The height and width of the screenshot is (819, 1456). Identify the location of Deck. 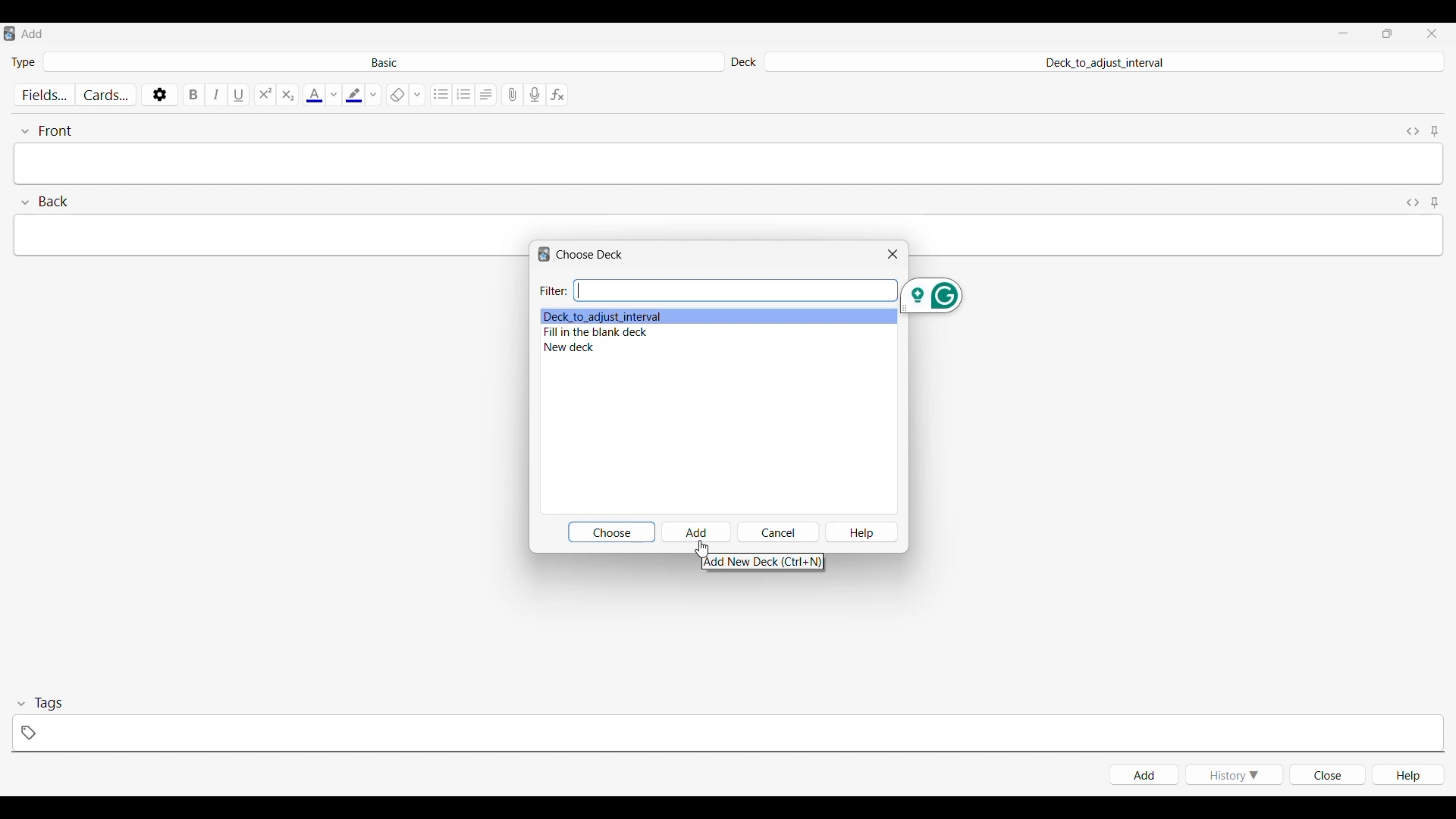
(719, 317).